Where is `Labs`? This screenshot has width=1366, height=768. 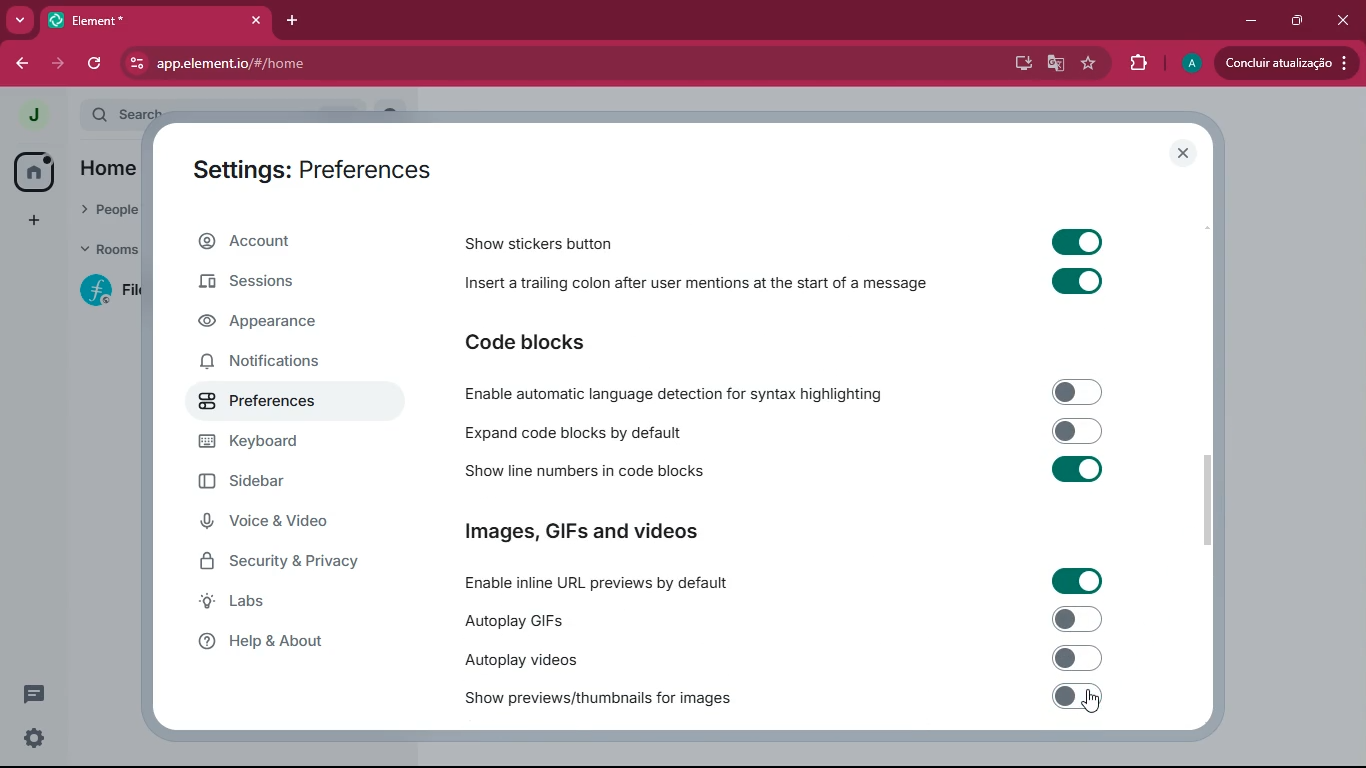 Labs is located at coordinates (282, 601).